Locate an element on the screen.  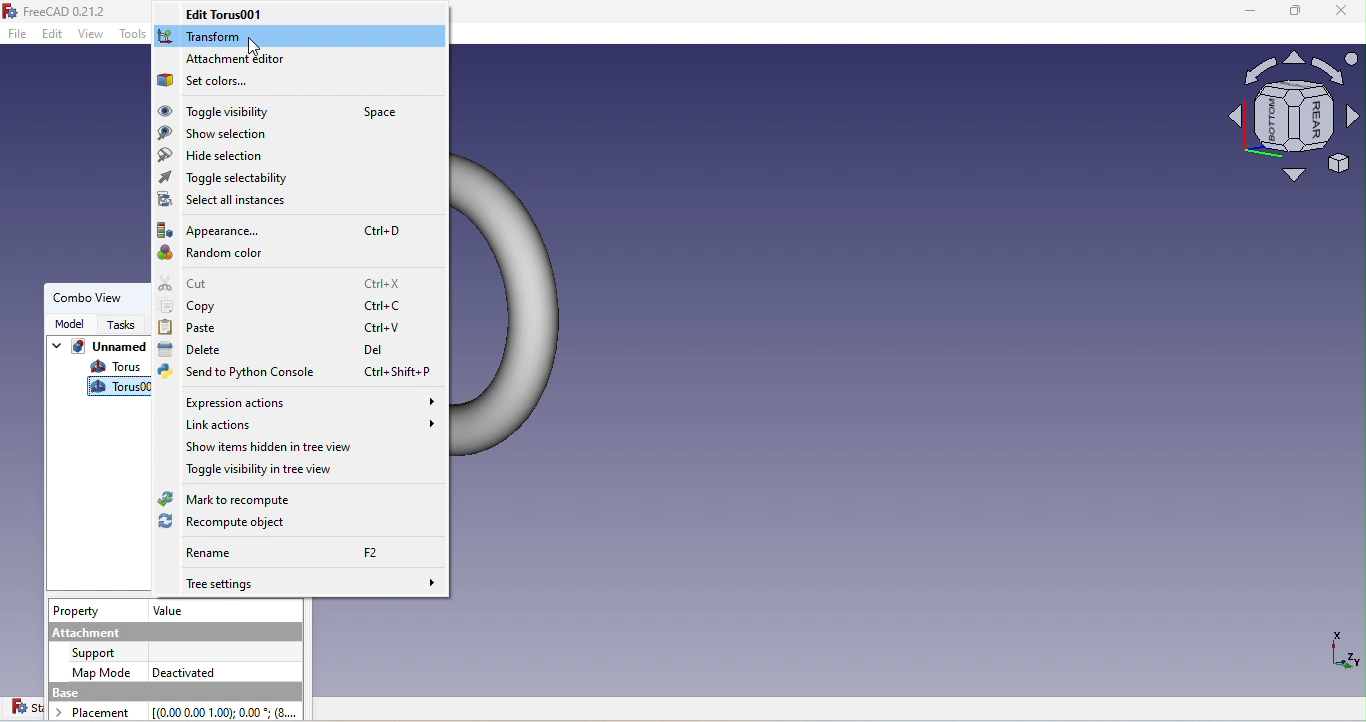
Random color is located at coordinates (227, 253).